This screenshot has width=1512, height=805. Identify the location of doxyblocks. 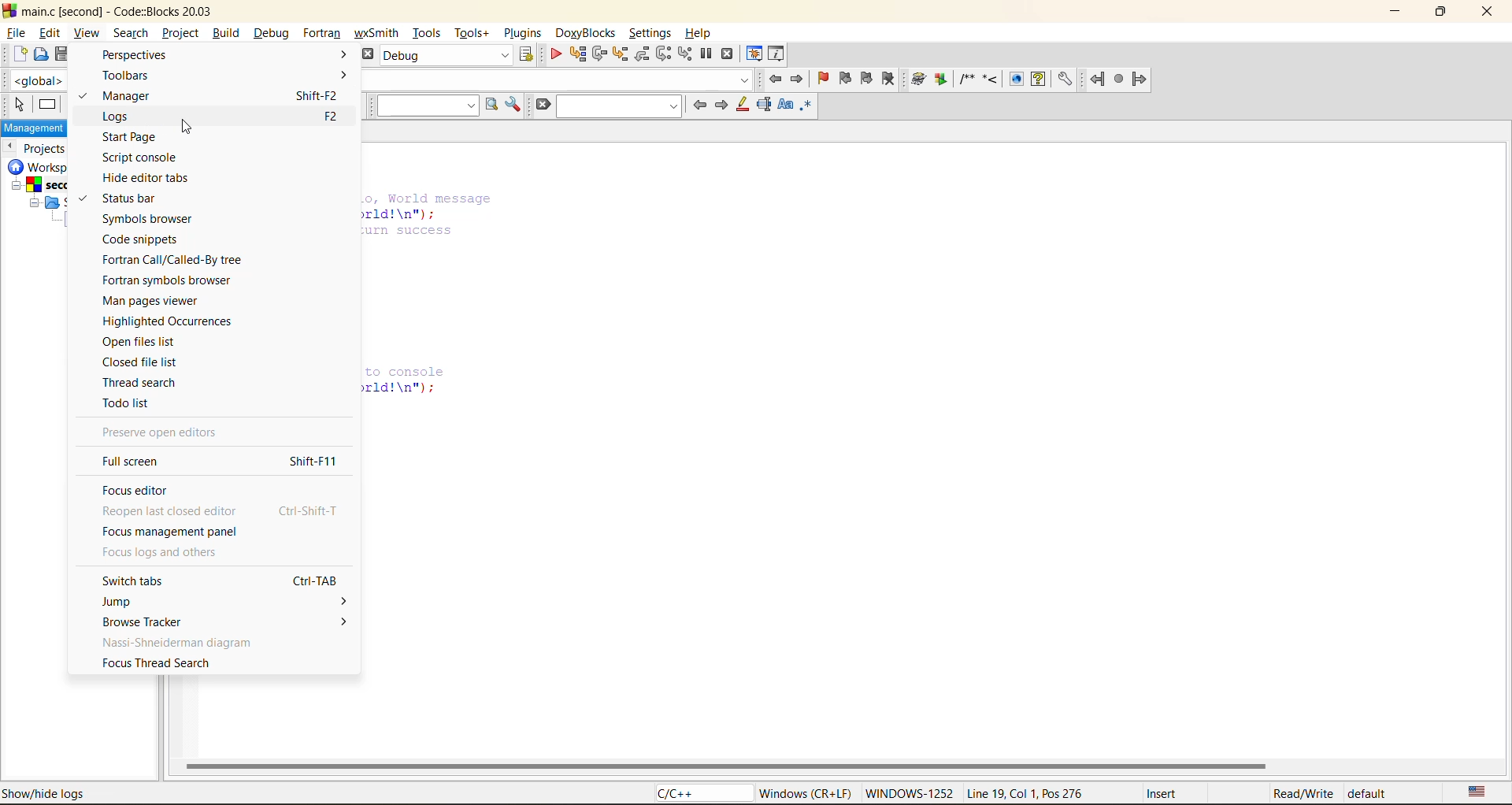
(584, 31).